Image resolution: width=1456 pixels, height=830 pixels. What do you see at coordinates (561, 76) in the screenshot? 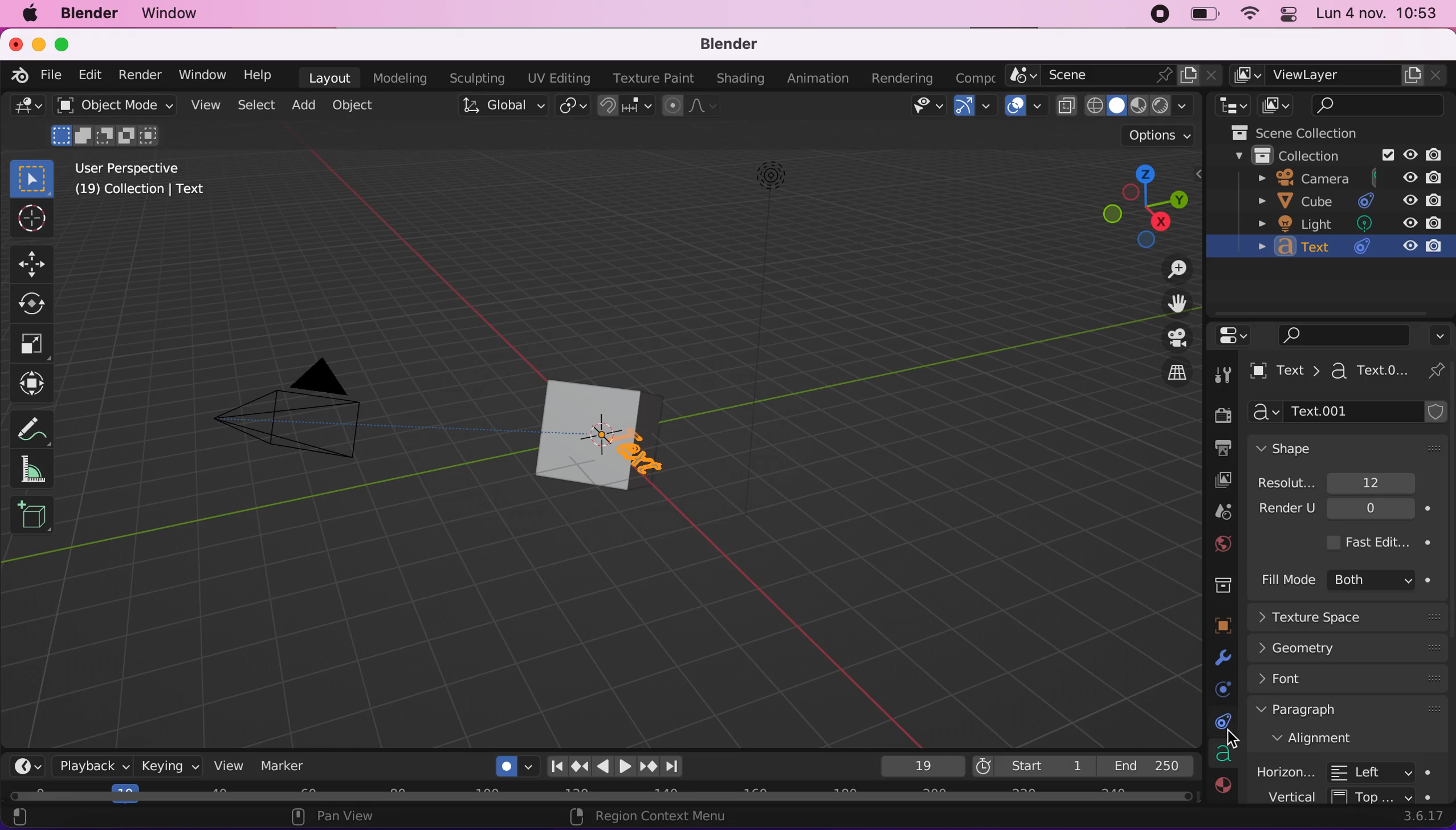
I see `uv editing` at bounding box center [561, 76].